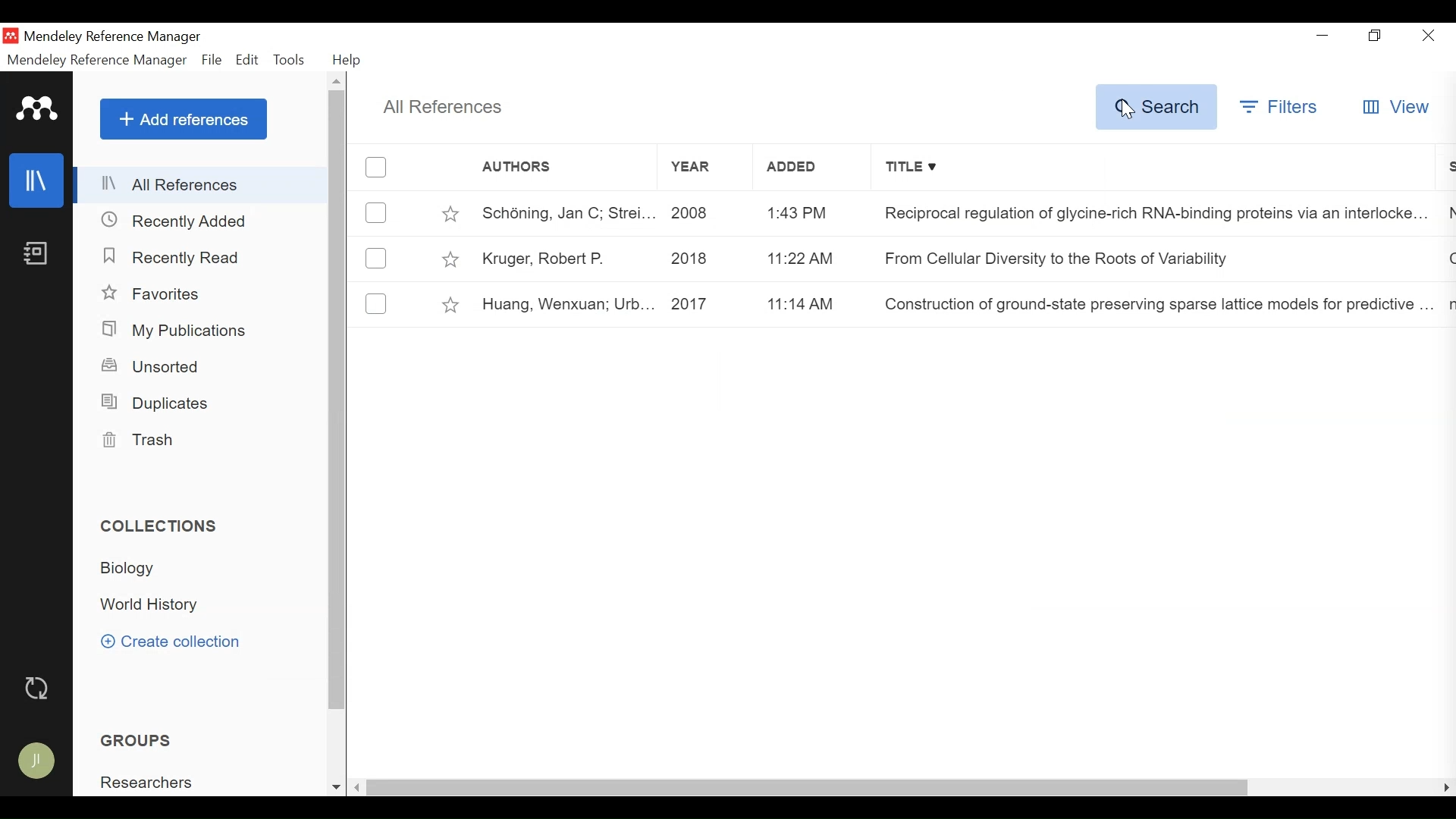 This screenshot has height=819, width=1456. Describe the element at coordinates (135, 740) in the screenshot. I see `Groups` at that location.